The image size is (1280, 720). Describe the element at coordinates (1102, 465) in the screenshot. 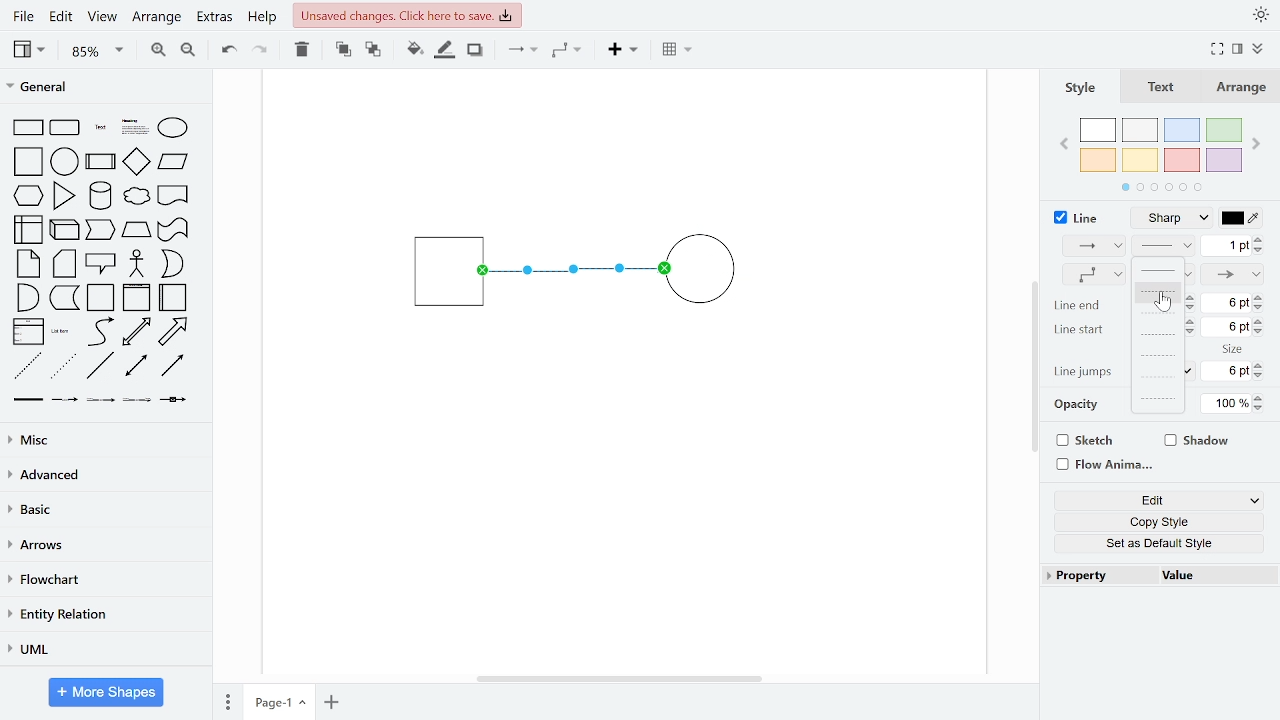

I see `flow animation` at that location.